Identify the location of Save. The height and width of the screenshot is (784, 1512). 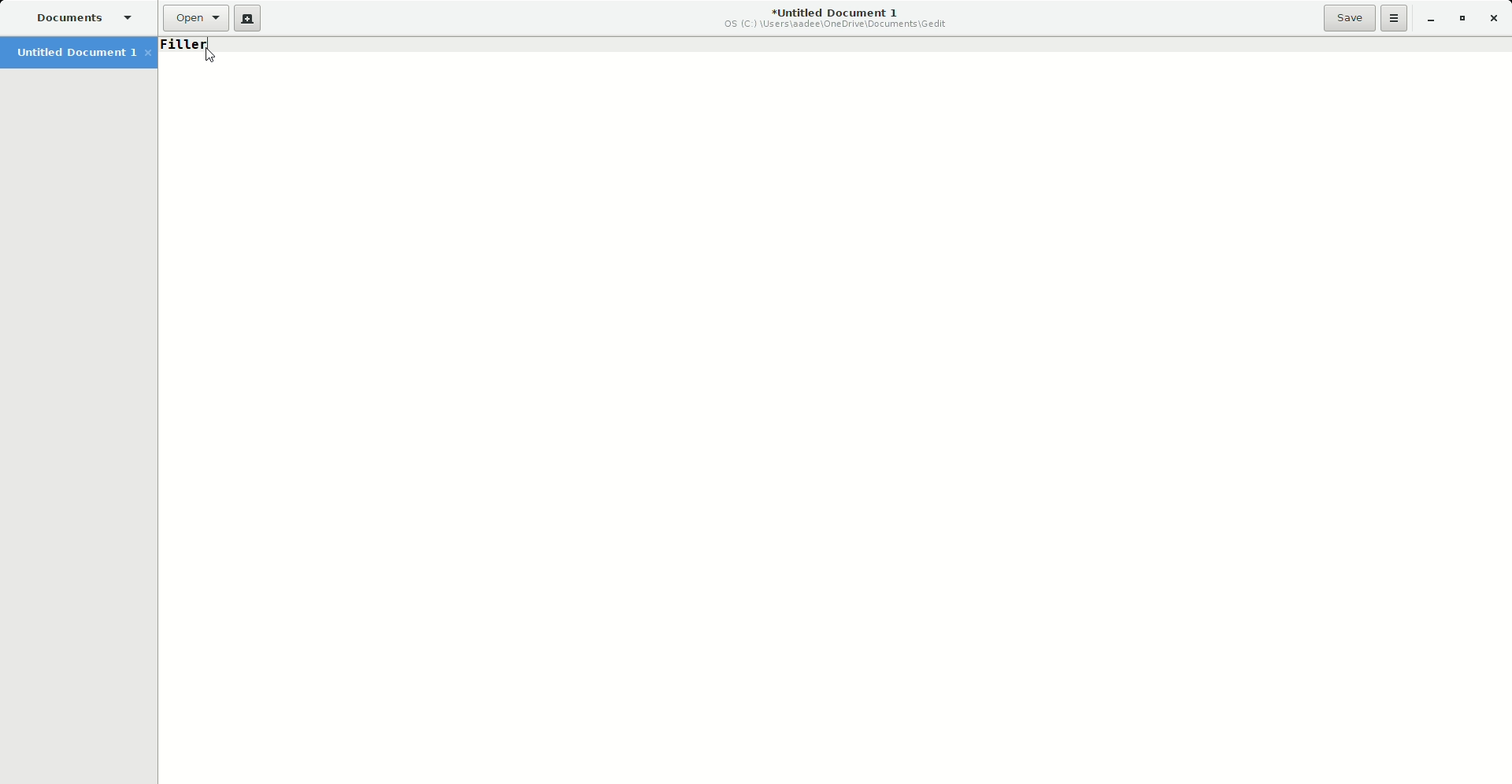
(1350, 17).